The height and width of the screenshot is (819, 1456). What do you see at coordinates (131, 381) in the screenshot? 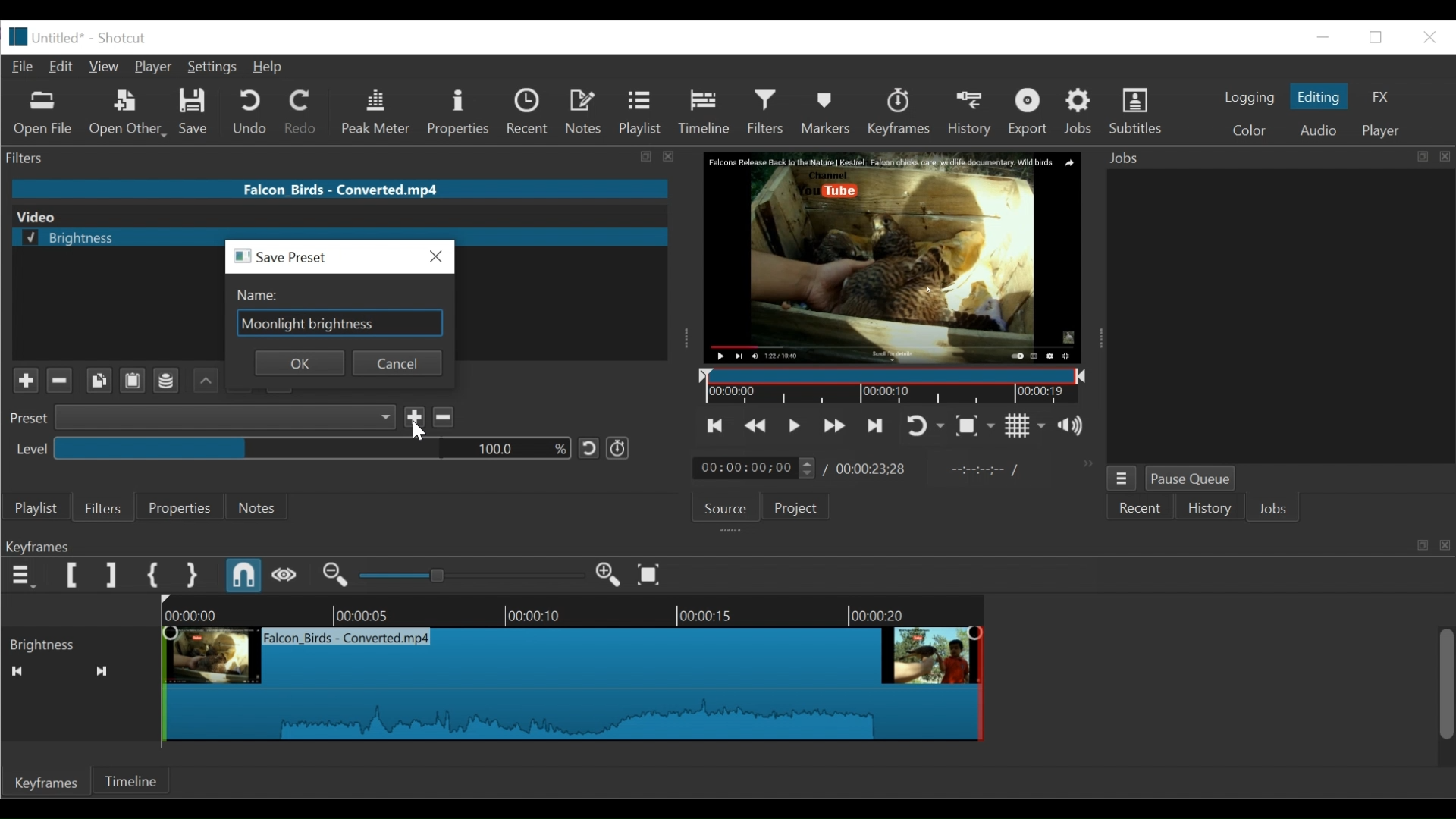
I see `Clipboard` at bounding box center [131, 381].